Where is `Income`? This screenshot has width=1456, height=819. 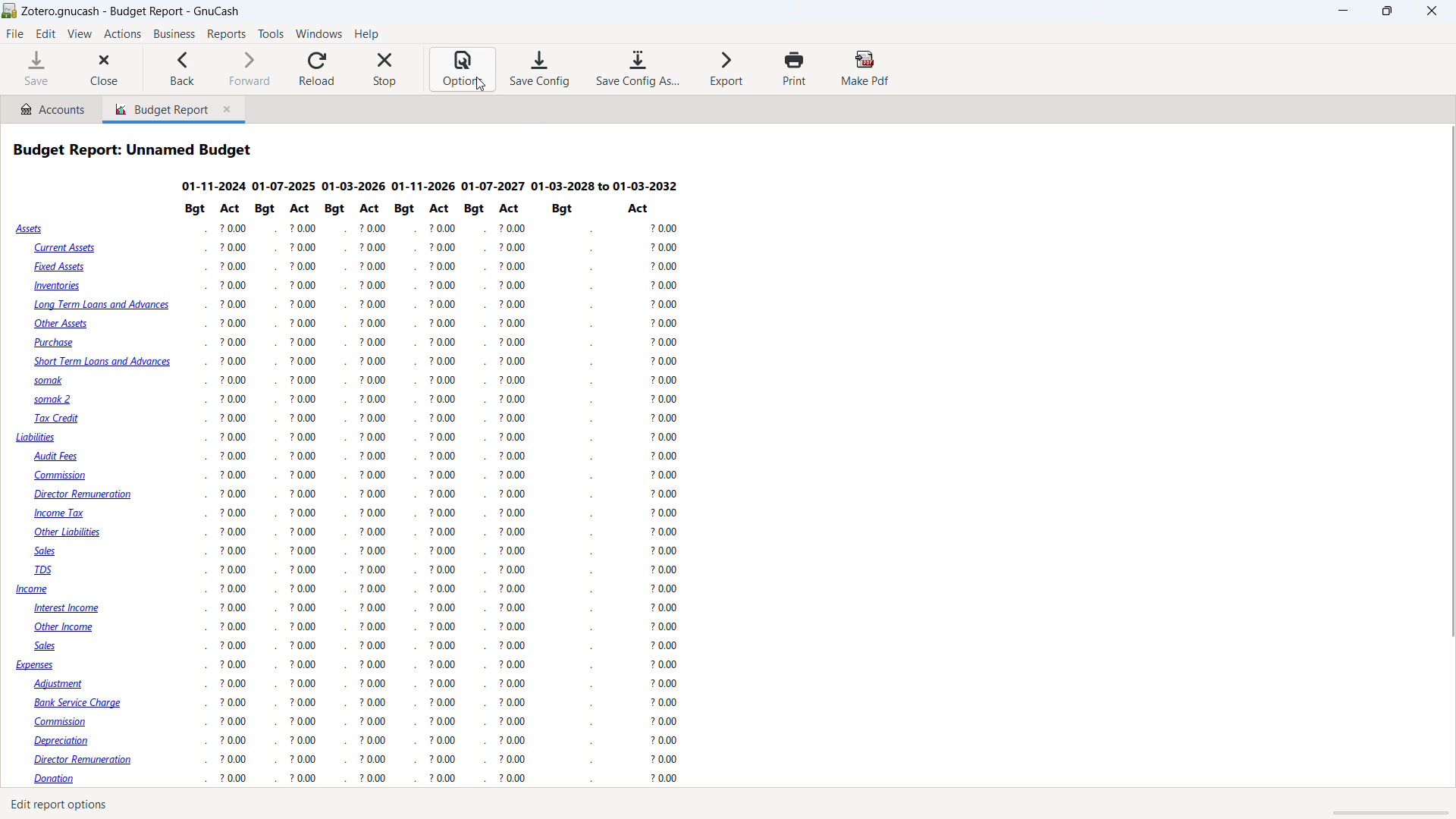 Income is located at coordinates (33, 590).